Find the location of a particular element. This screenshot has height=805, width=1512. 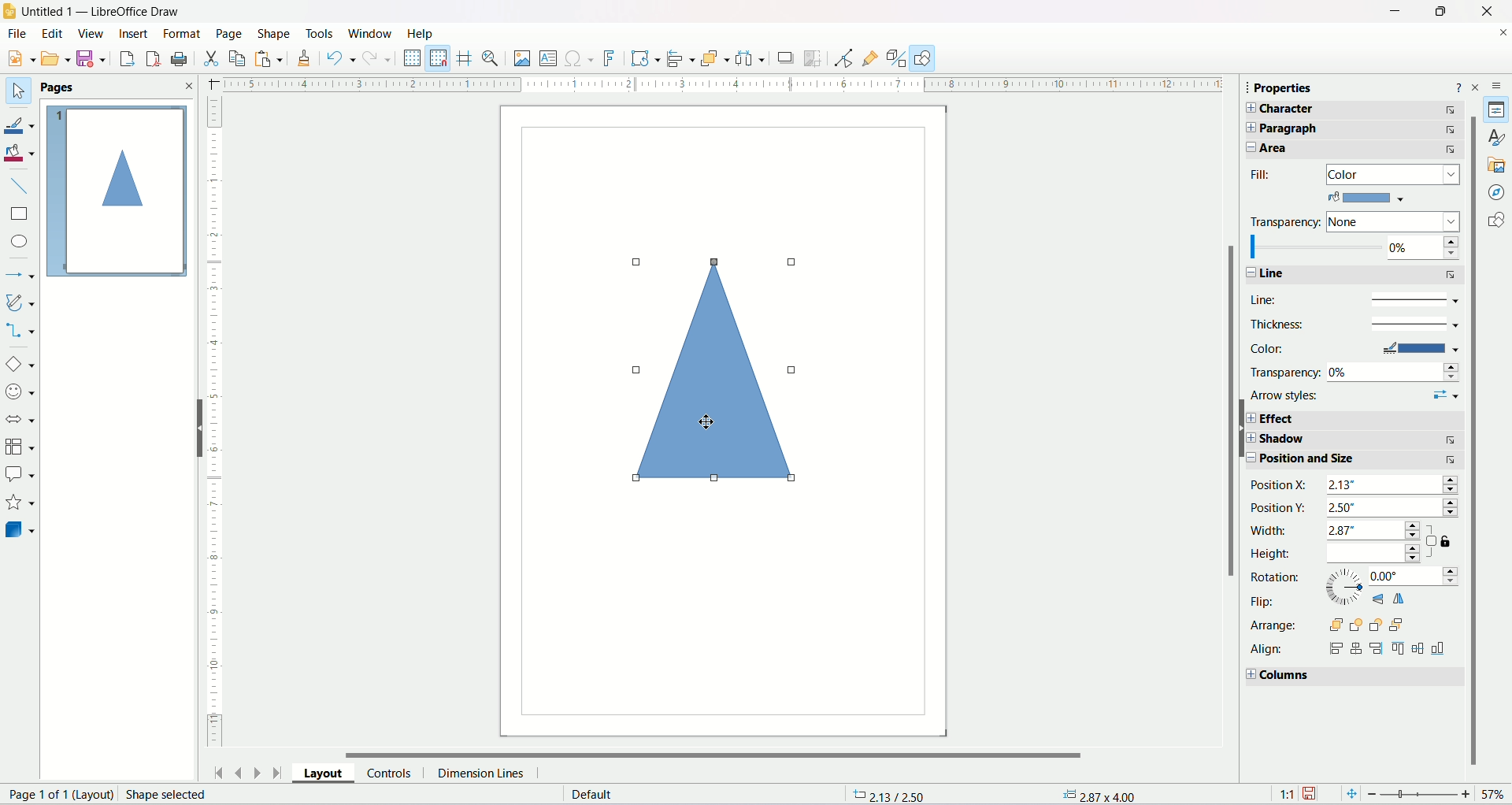

Ellipse is located at coordinates (20, 241).